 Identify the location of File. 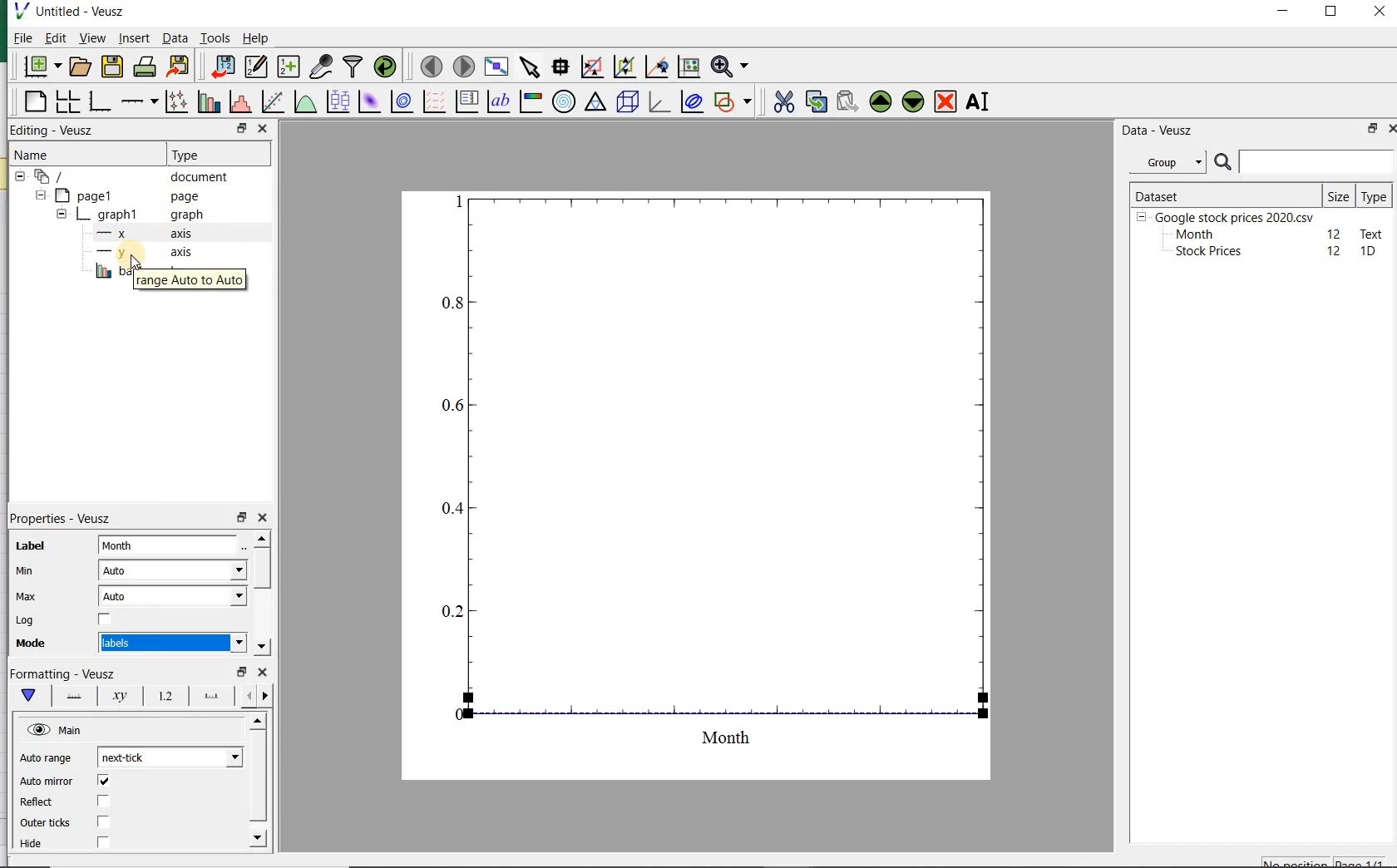
(18, 40).